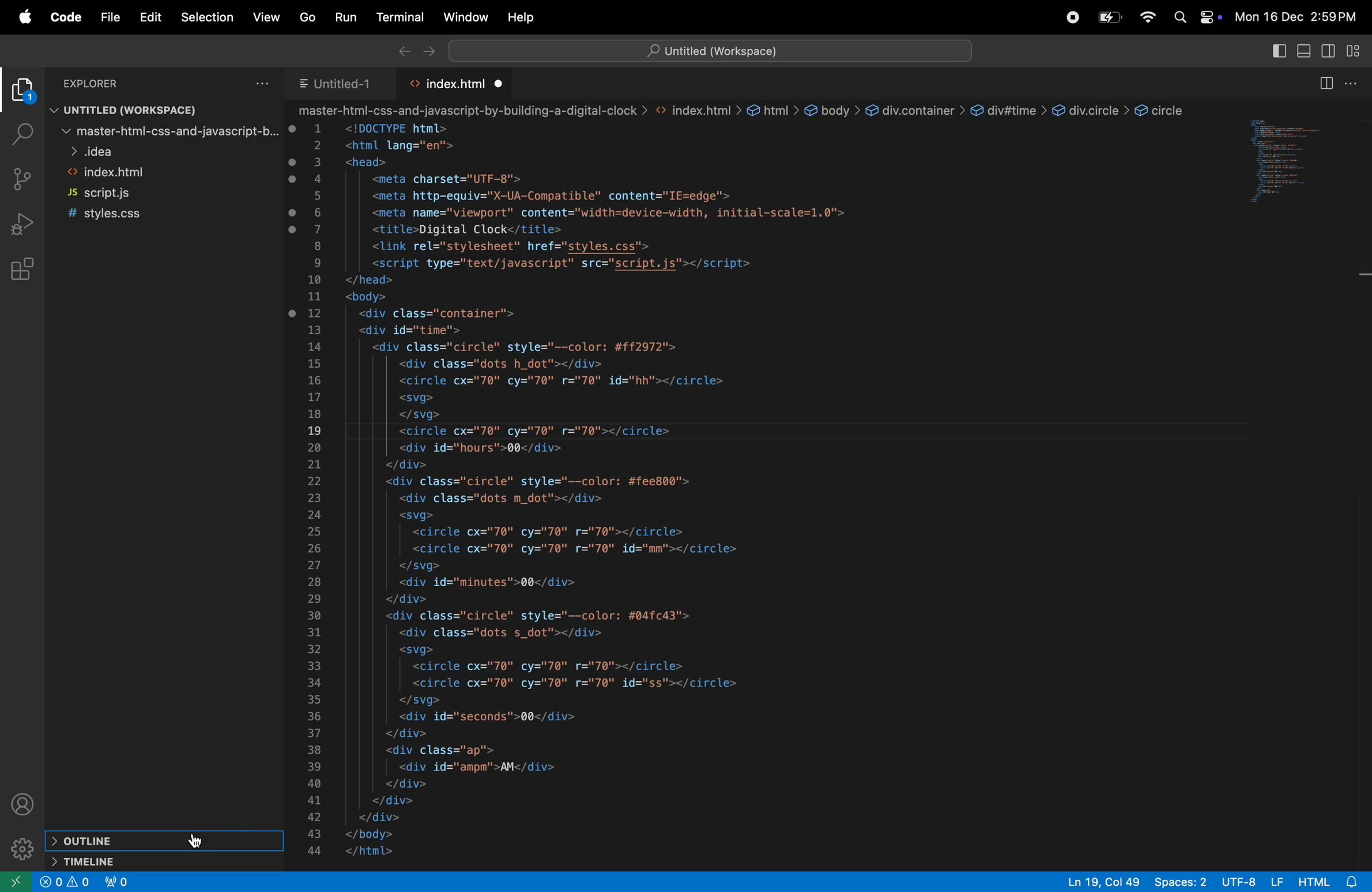 The width and height of the screenshot is (1372, 892). Describe the element at coordinates (101, 82) in the screenshot. I see `explorer` at that location.